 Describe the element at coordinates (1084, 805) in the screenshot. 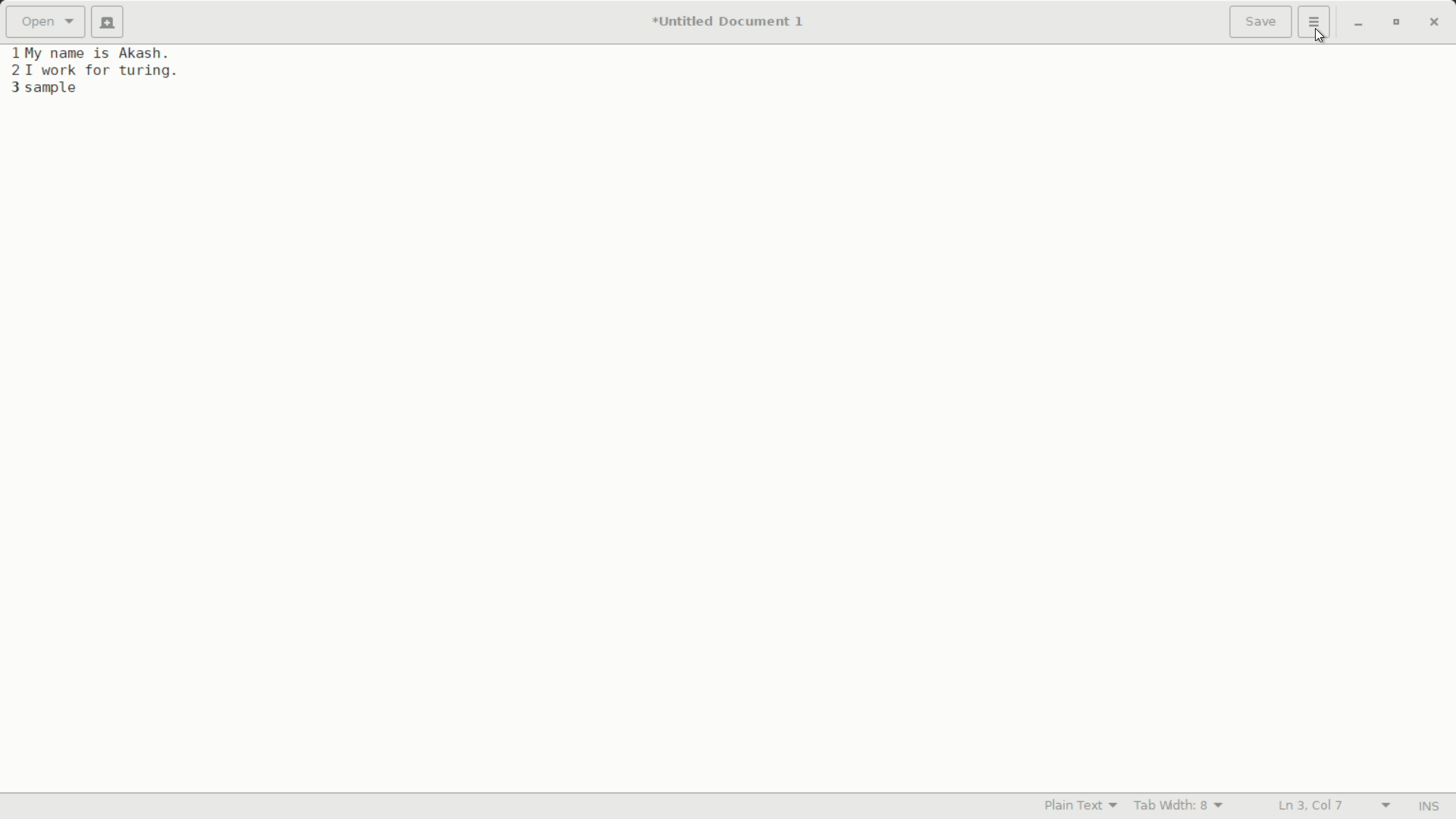

I see `plain text` at that location.